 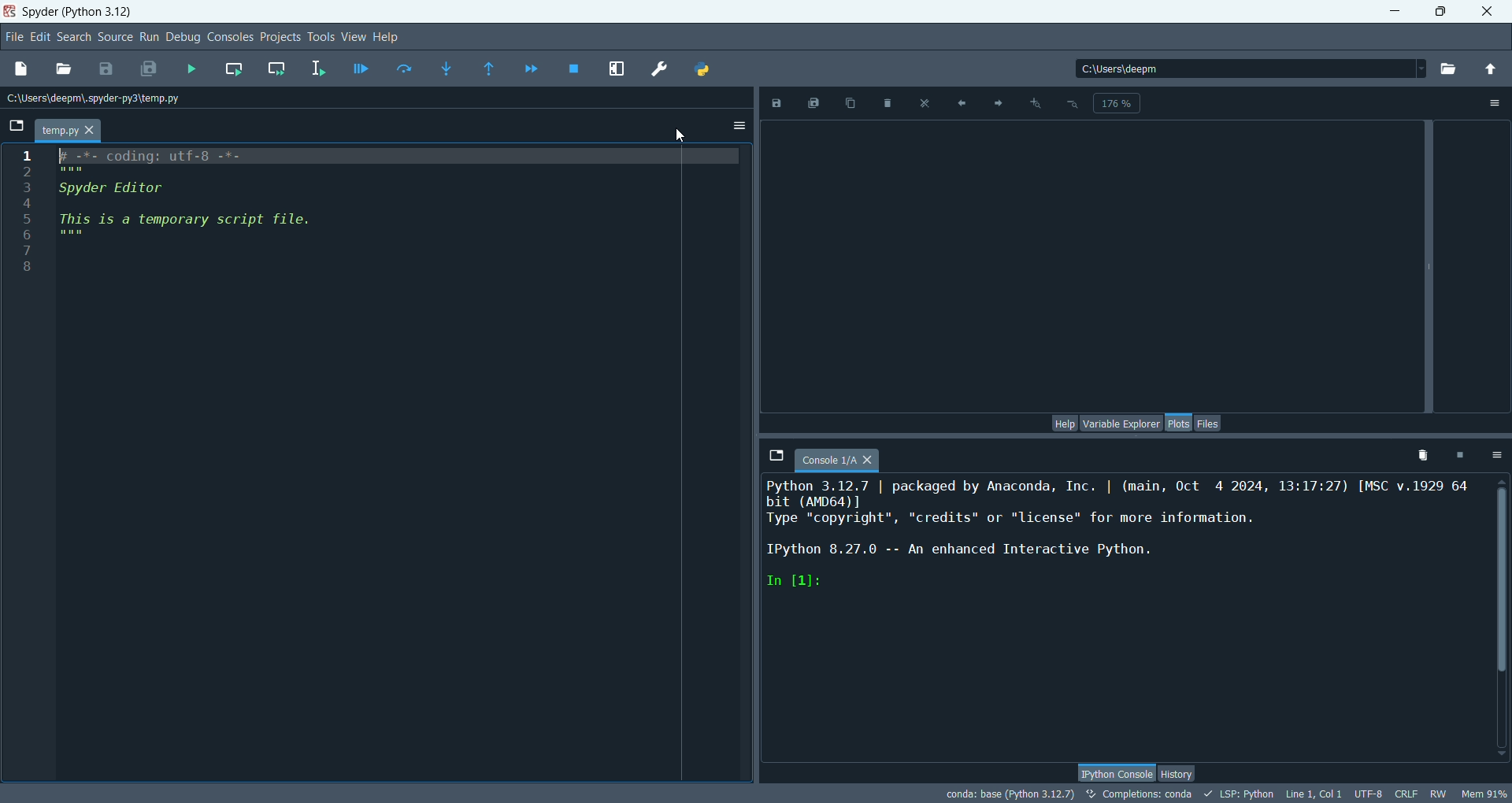 I want to click on save as, so click(x=781, y=102).